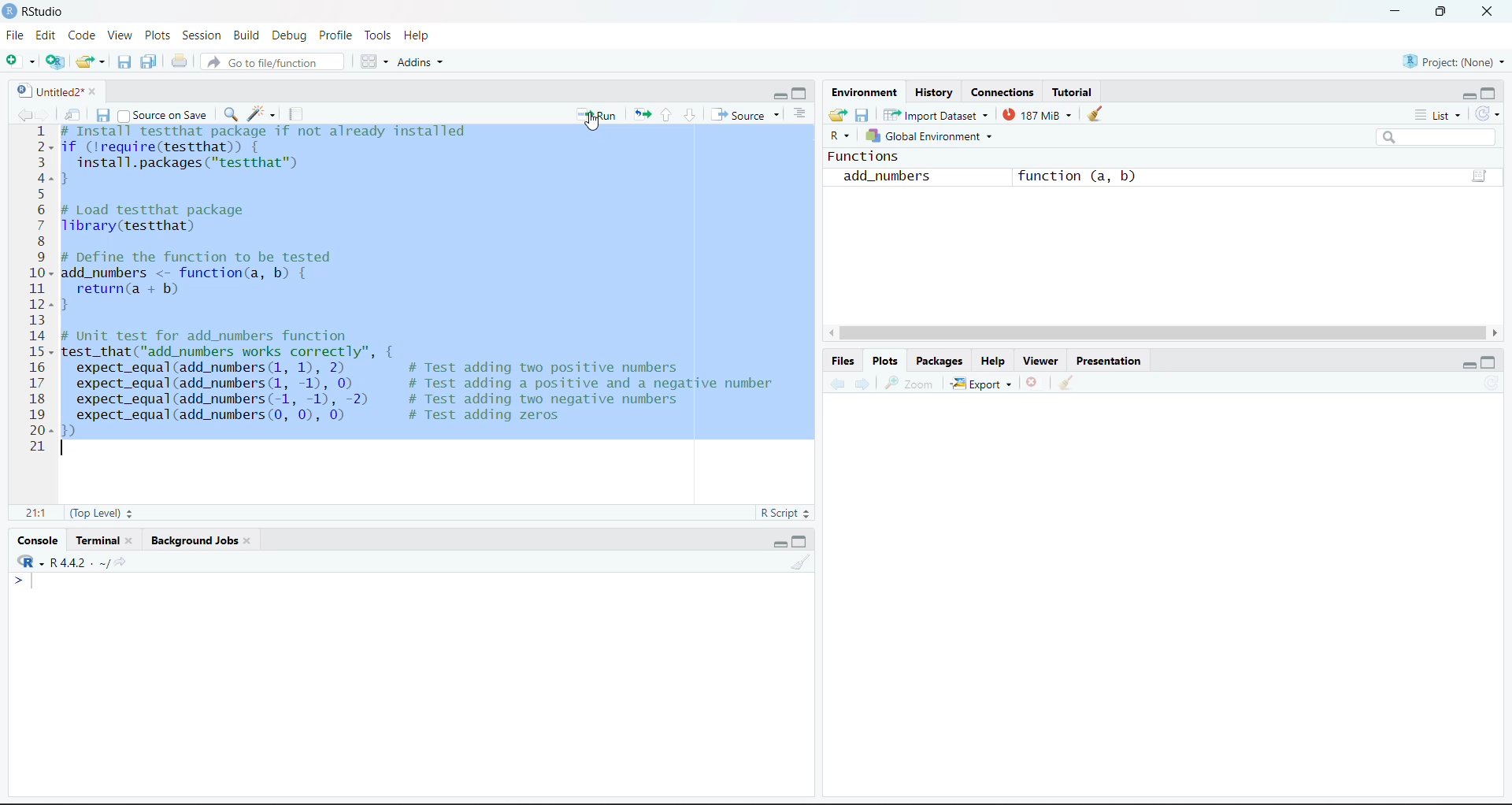 The height and width of the screenshot is (805, 1512). Describe the element at coordinates (836, 383) in the screenshot. I see `previous` at that location.